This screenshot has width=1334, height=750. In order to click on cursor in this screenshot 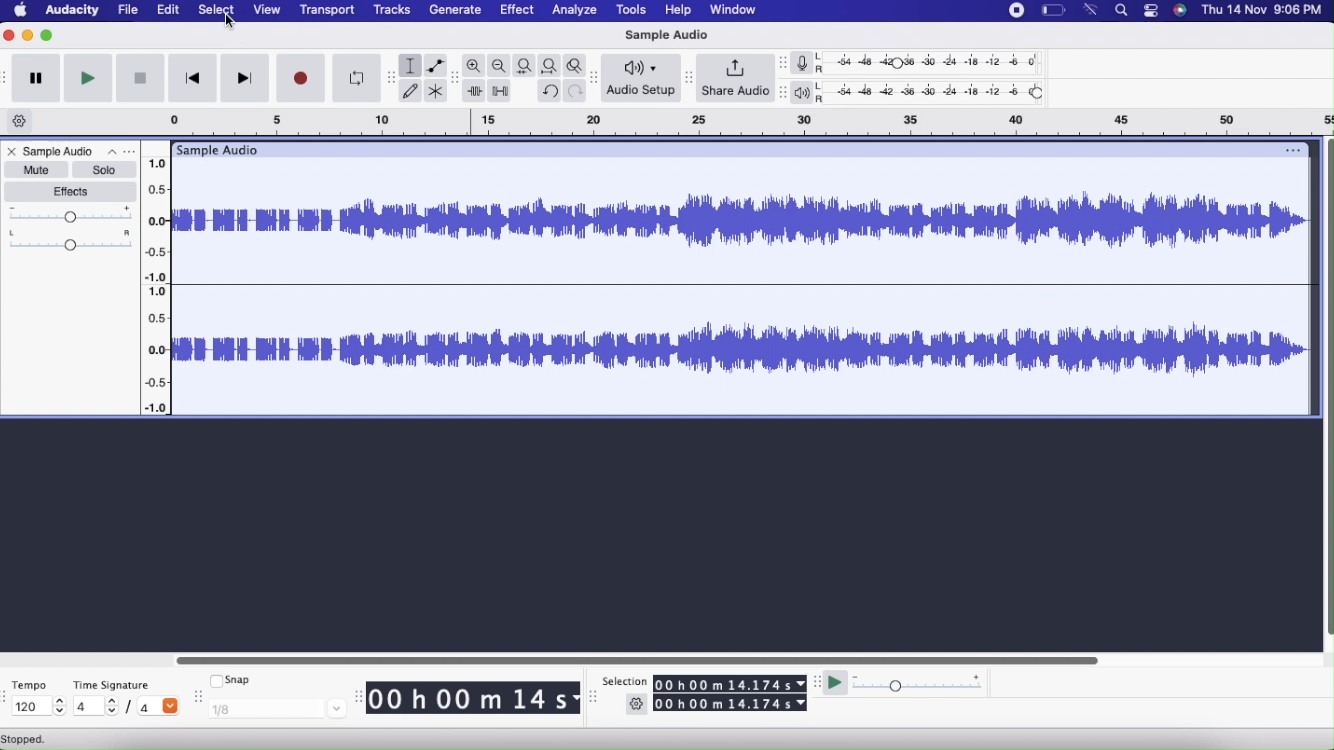, I will do `click(229, 23)`.